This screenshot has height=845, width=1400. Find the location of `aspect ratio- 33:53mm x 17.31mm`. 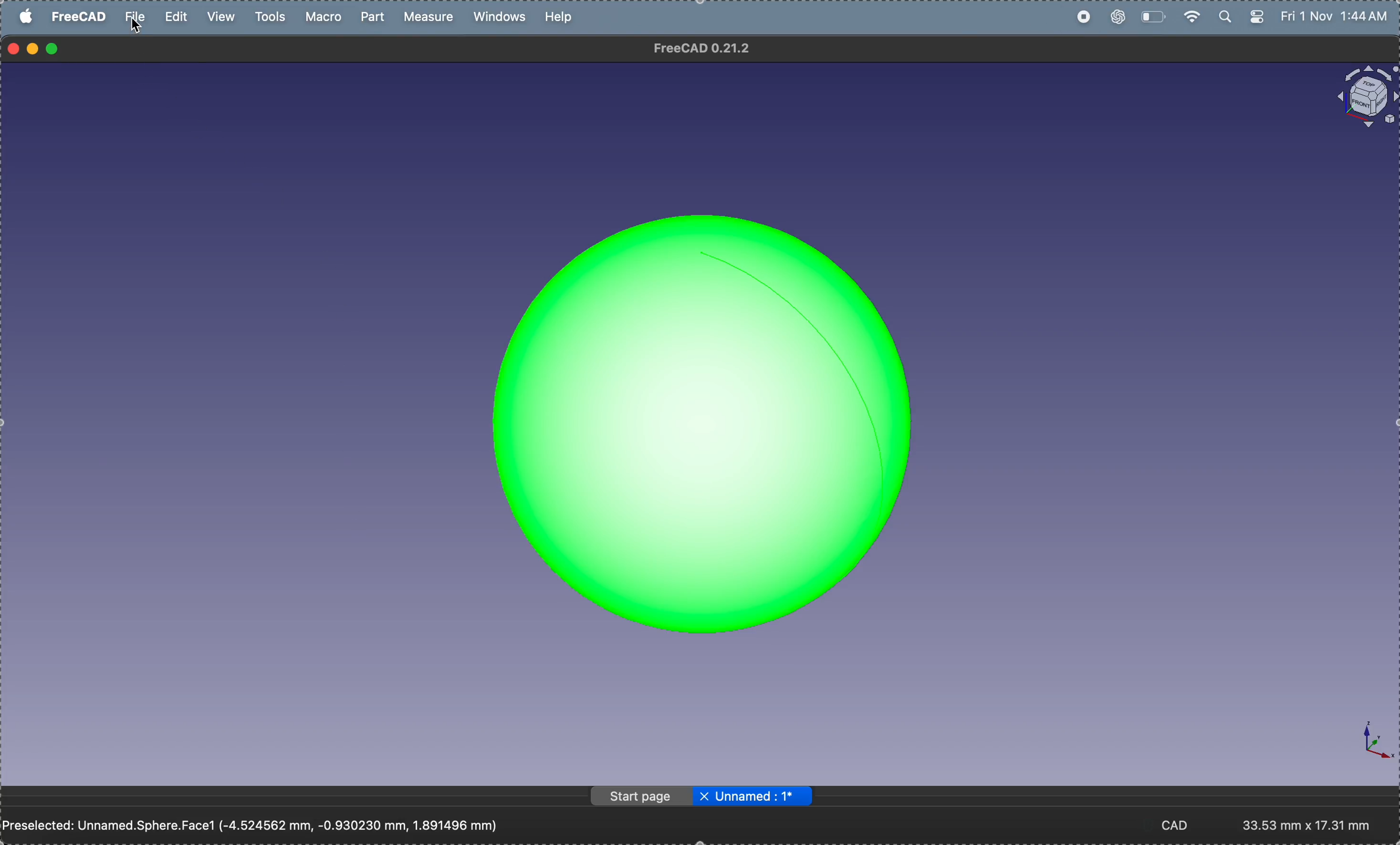

aspect ratio- 33:53mm x 17.31mm is located at coordinates (1315, 825).